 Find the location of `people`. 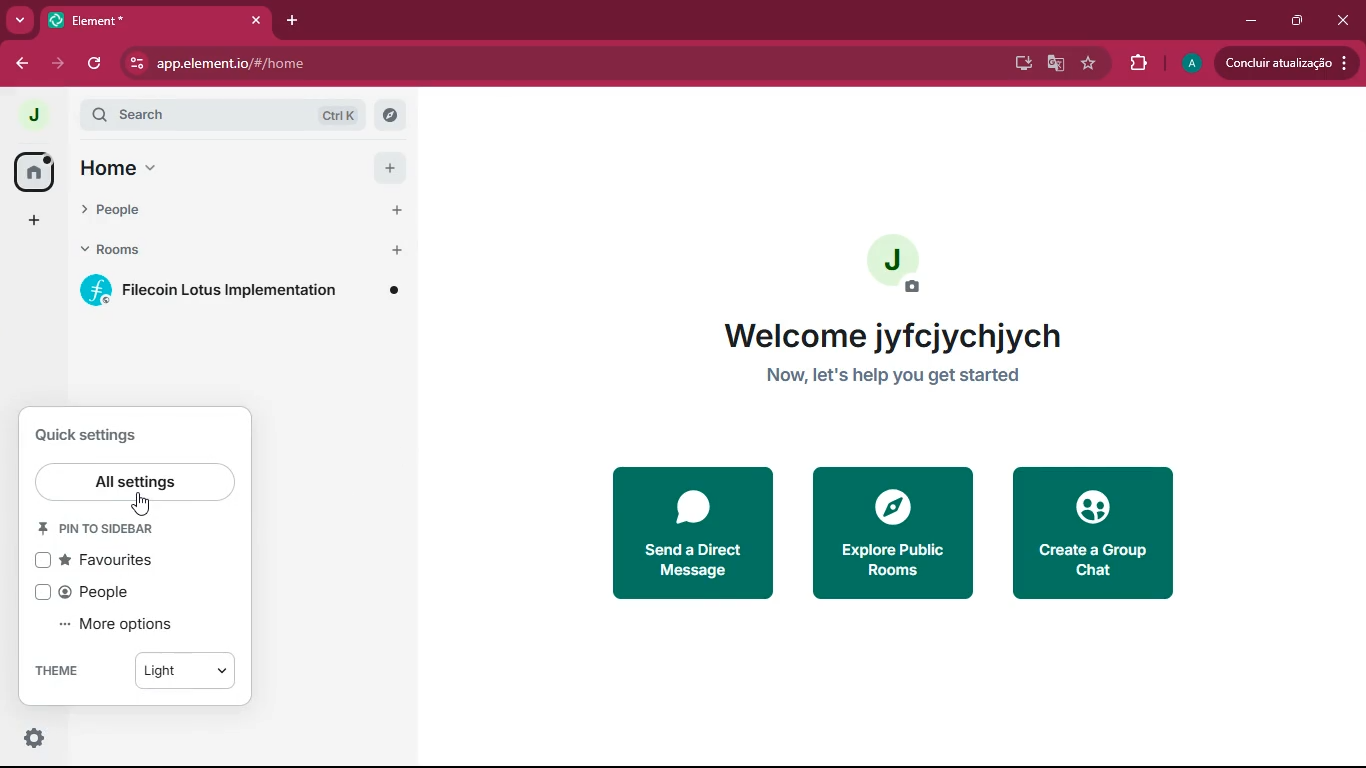

people is located at coordinates (110, 592).